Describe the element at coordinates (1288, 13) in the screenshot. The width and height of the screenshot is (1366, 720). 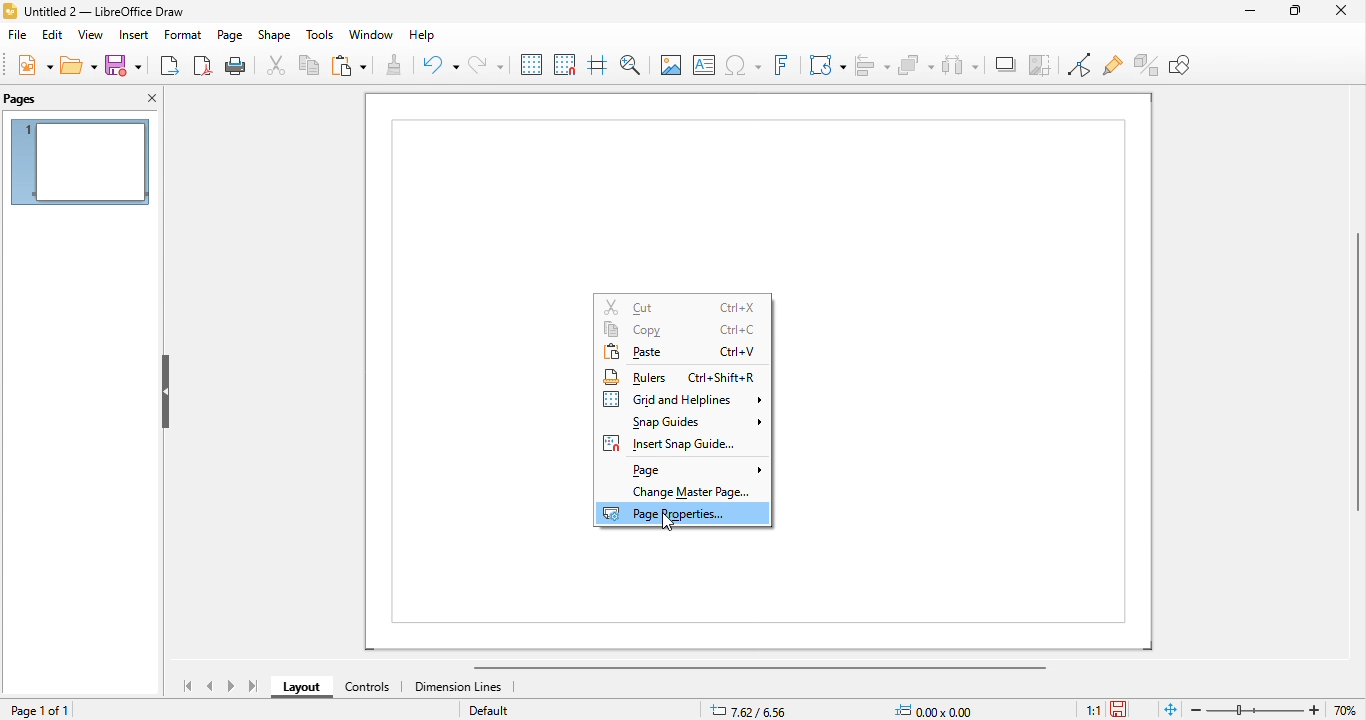
I see `maximize` at that location.